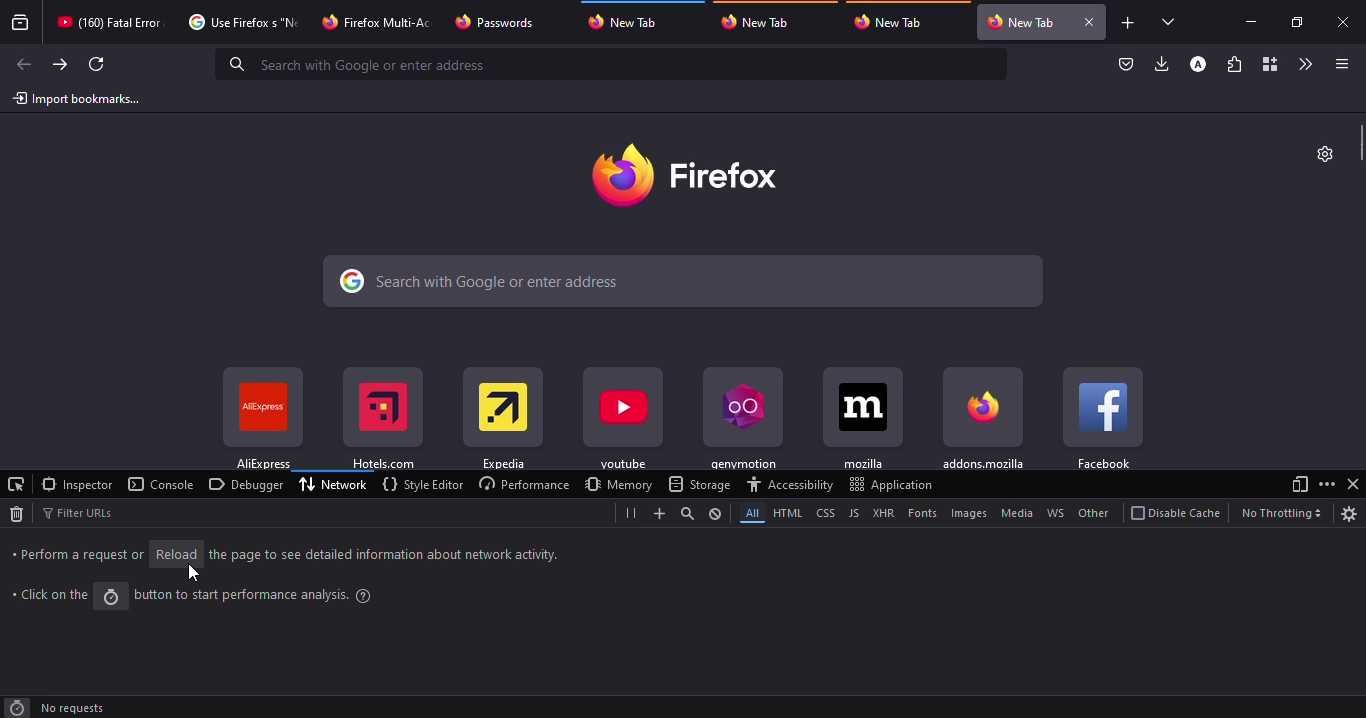 Image resolution: width=1366 pixels, height=718 pixels. I want to click on shortcuts, so click(983, 417).